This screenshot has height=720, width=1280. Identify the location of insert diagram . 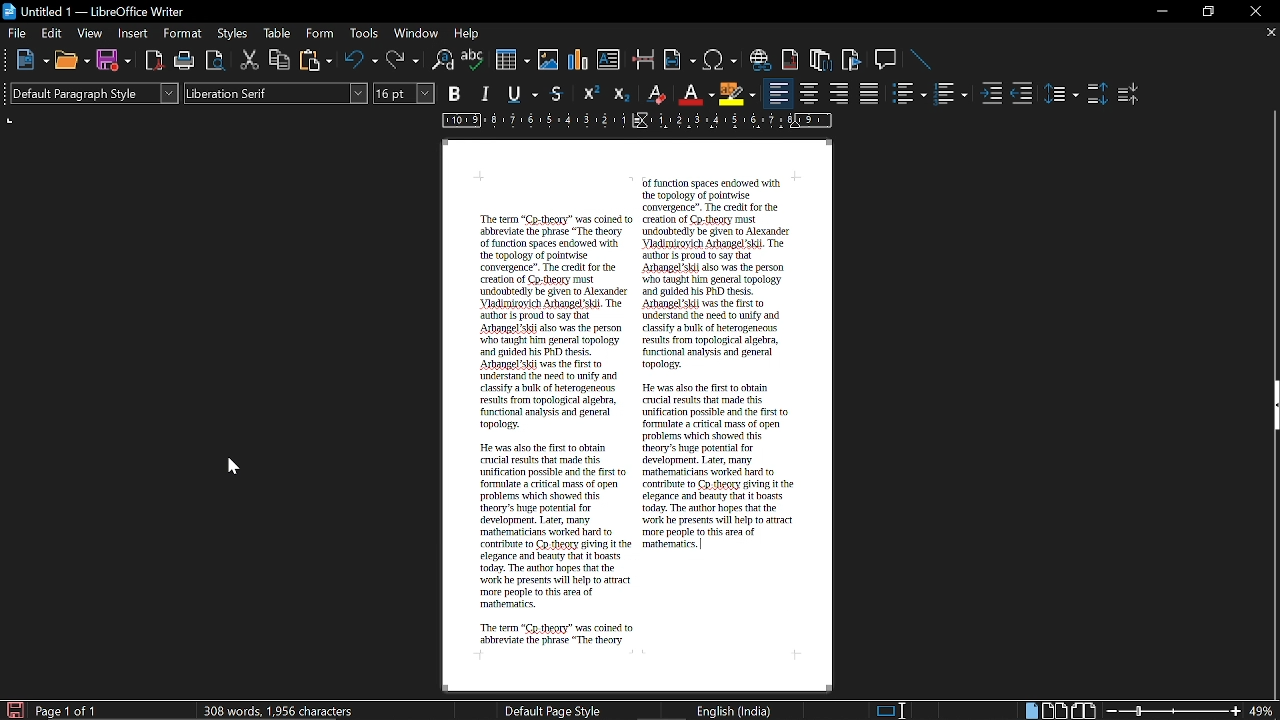
(580, 61).